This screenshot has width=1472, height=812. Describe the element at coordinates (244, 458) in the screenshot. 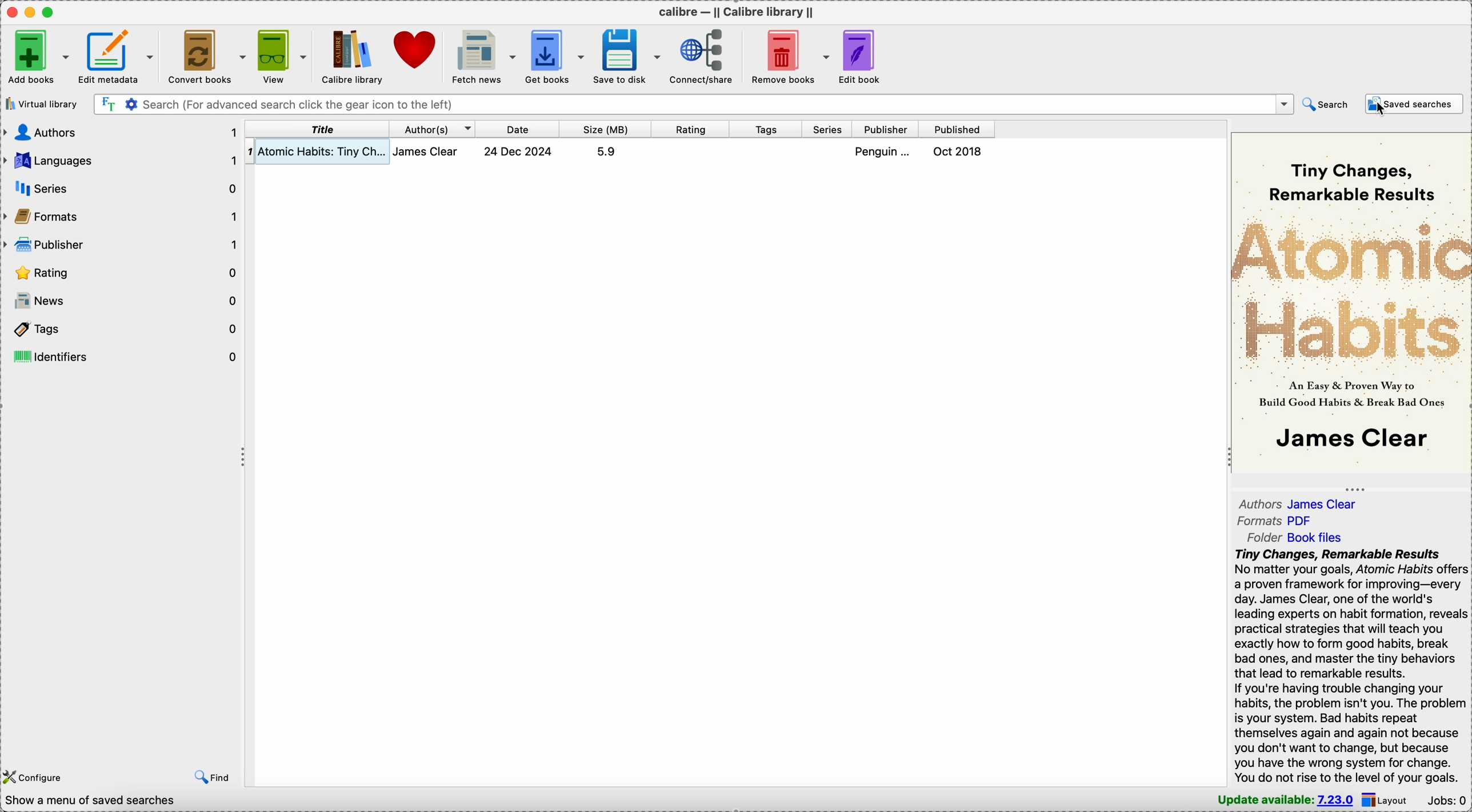

I see `toggle expand/contract` at that location.